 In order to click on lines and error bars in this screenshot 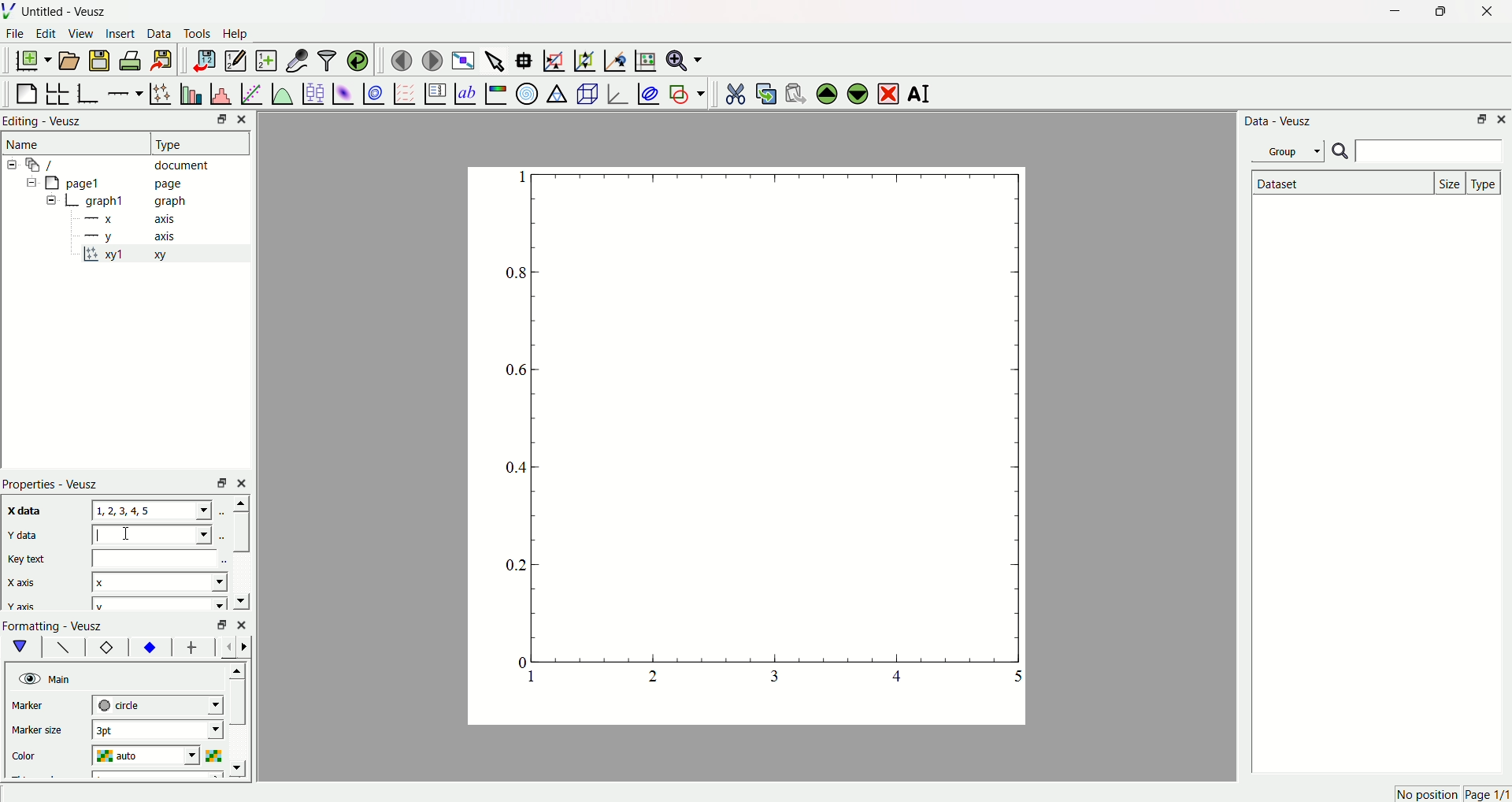, I will do `click(160, 92)`.